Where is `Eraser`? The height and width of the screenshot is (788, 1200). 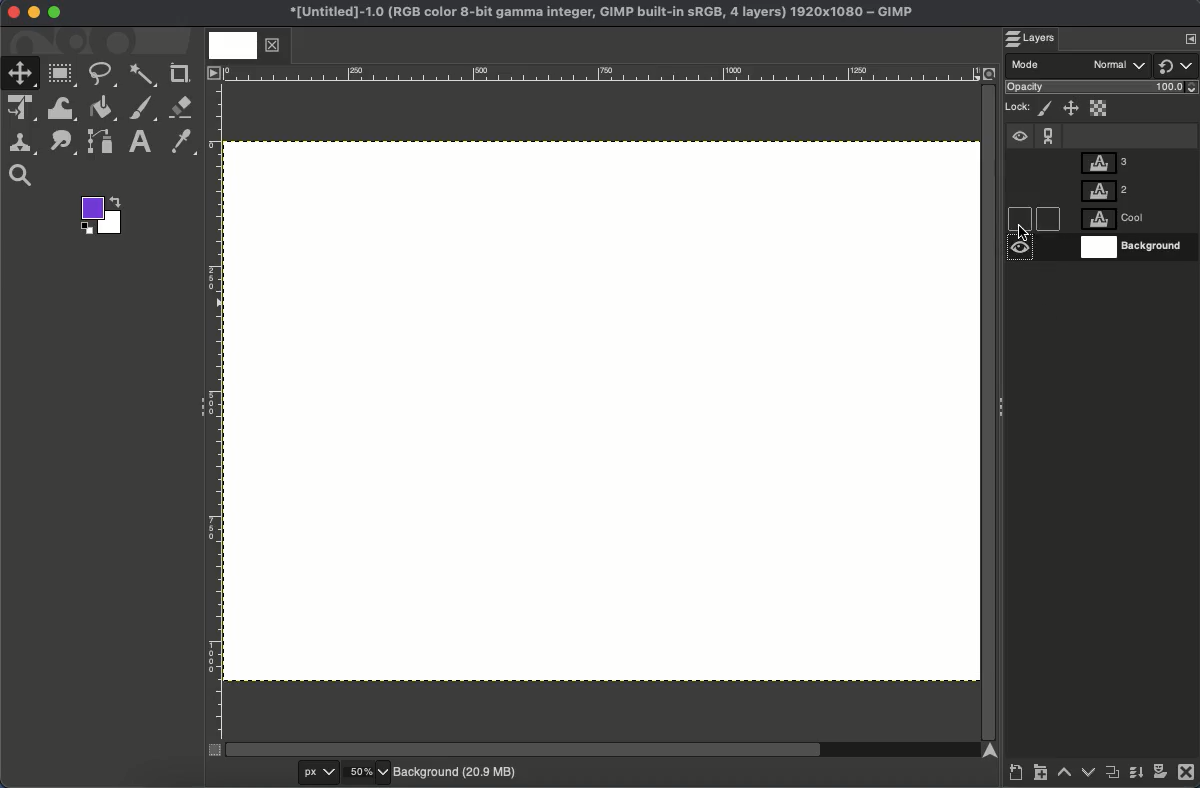 Eraser is located at coordinates (182, 107).